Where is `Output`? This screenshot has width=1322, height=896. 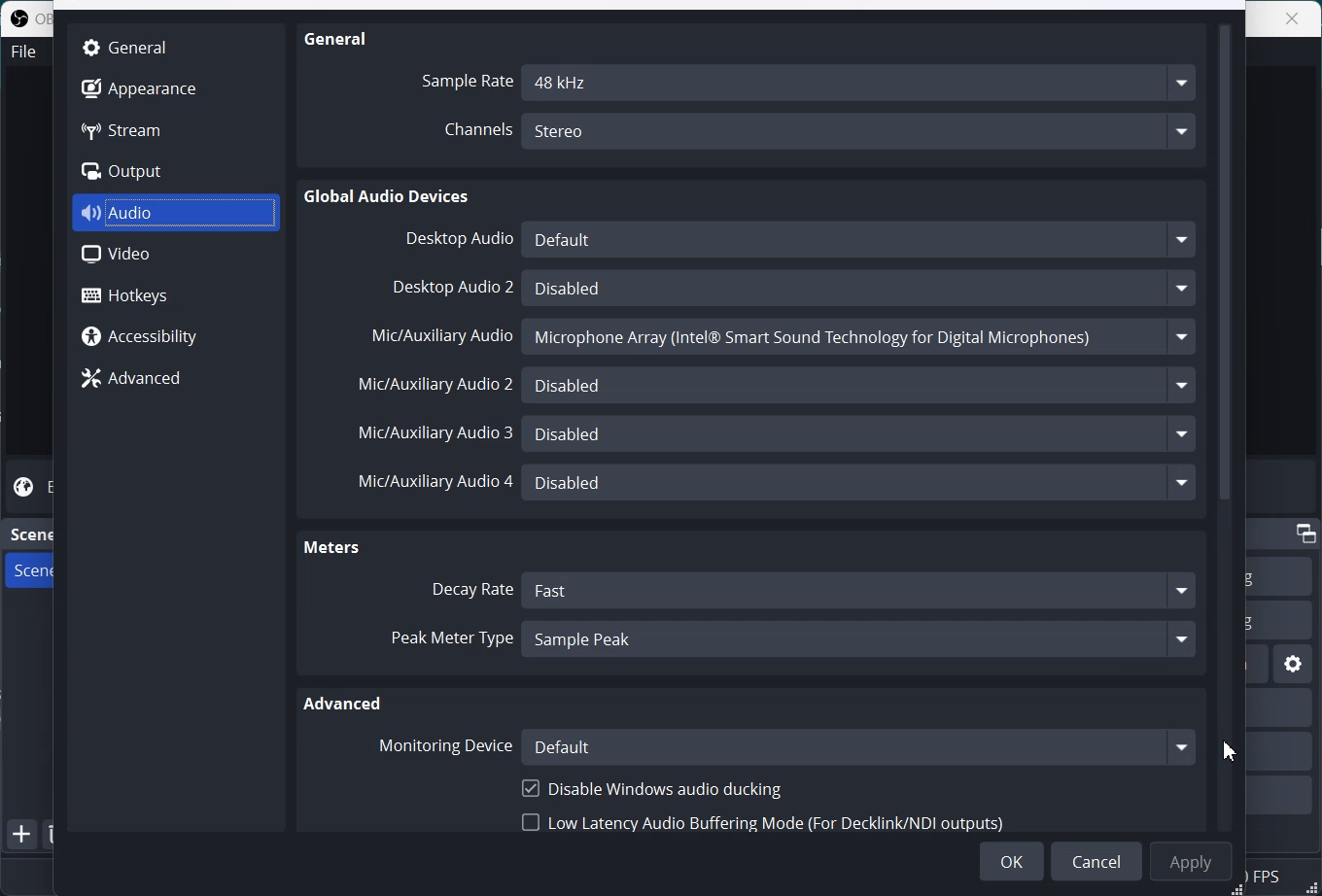
Output is located at coordinates (138, 172).